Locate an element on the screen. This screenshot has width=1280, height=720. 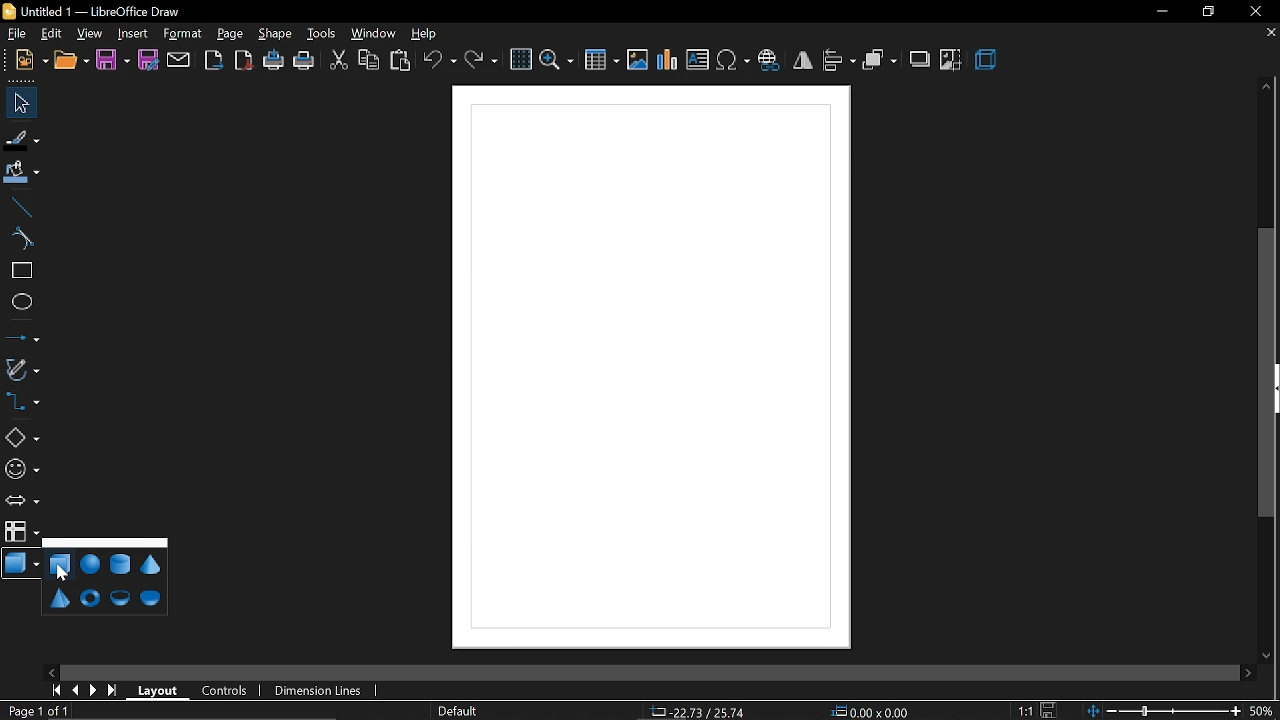
Diagram is located at coordinates (645, 370).